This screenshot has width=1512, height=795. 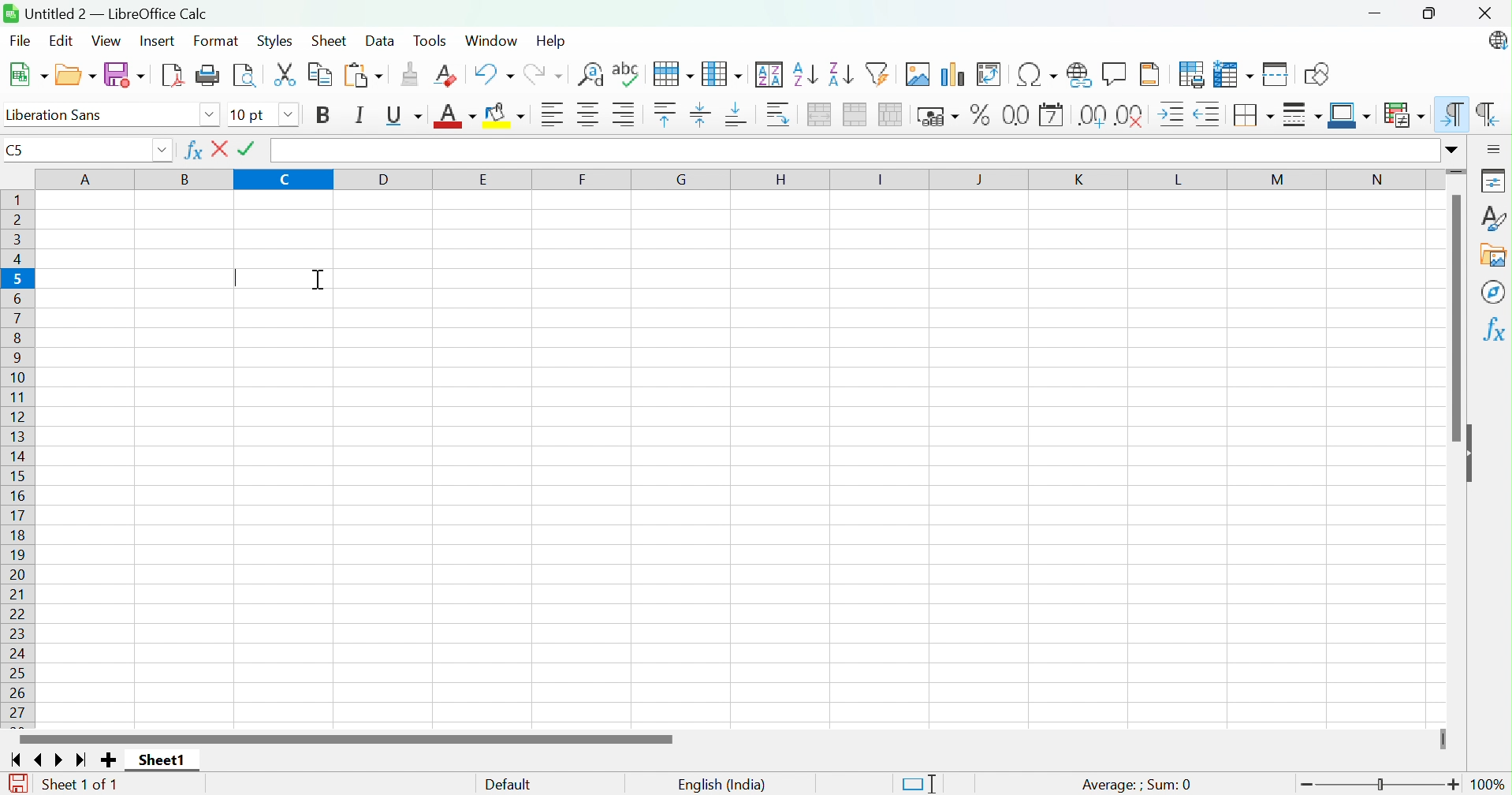 I want to click on Sheet1, so click(x=165, y=759).